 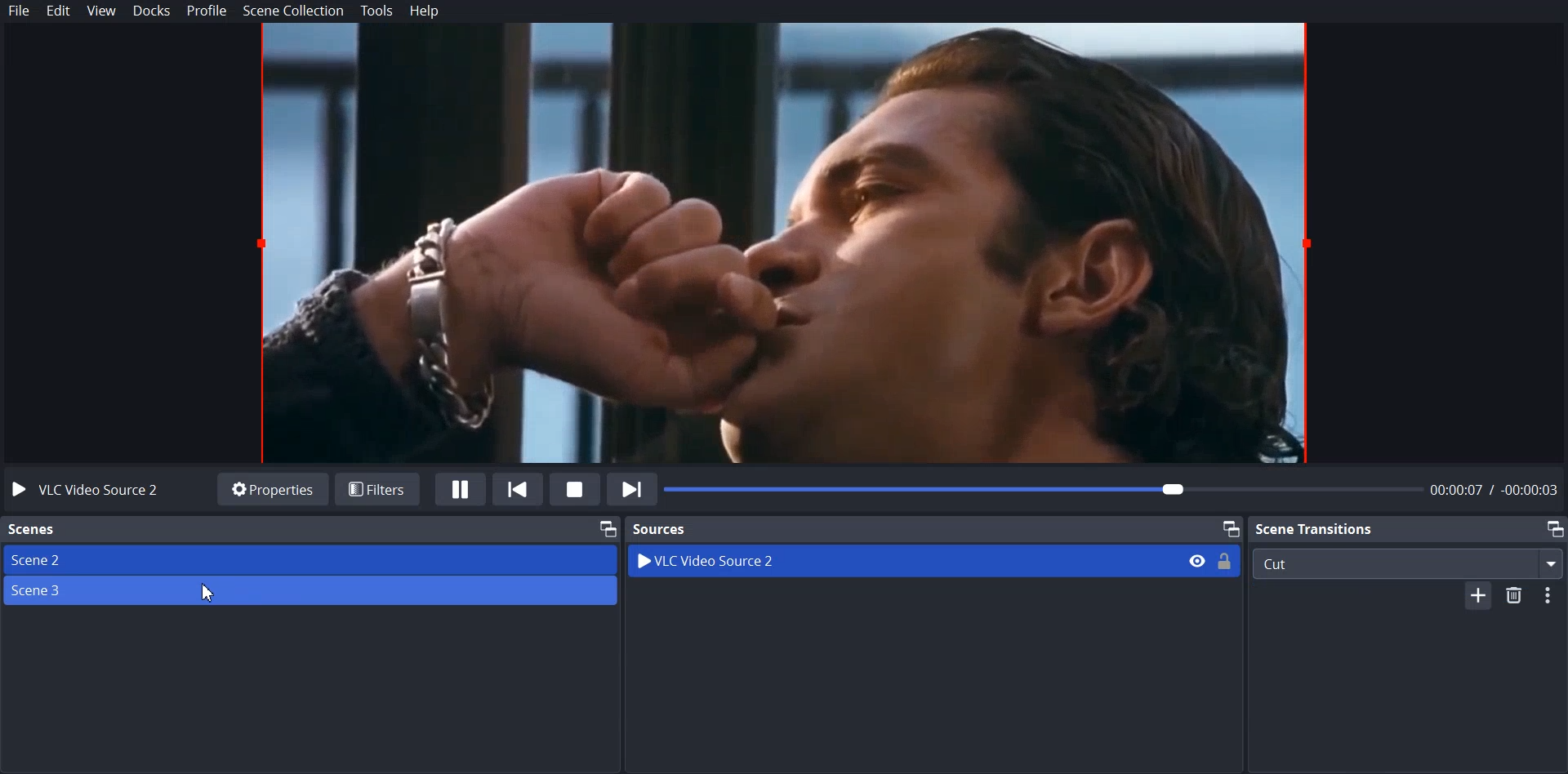 What do you see at coordinates (207, 11) in the screenshot?
I see `Profile` at bounding box center [207, 11].